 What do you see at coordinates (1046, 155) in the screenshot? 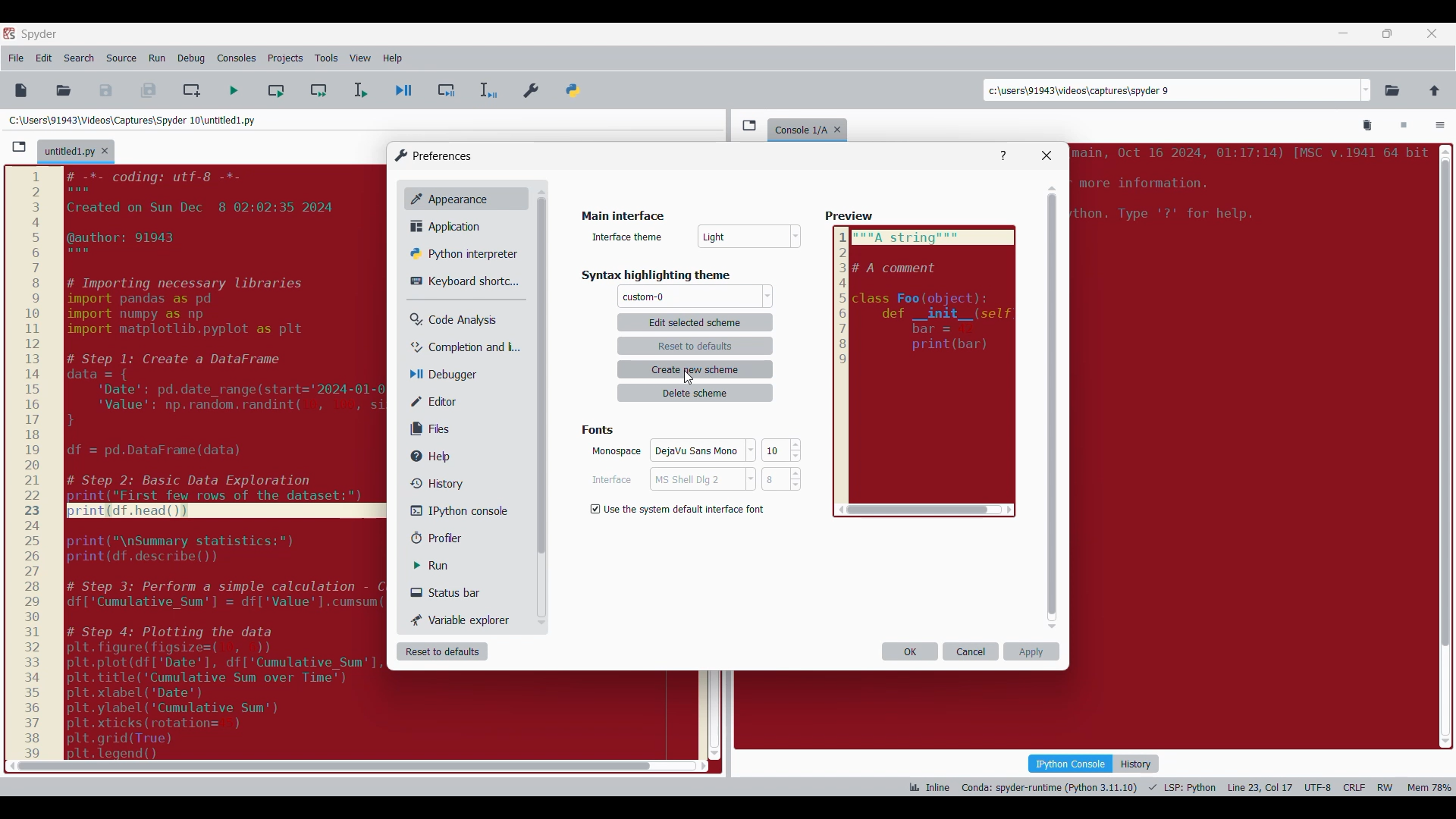
I see `Close` at bounding box center [1046, 155].